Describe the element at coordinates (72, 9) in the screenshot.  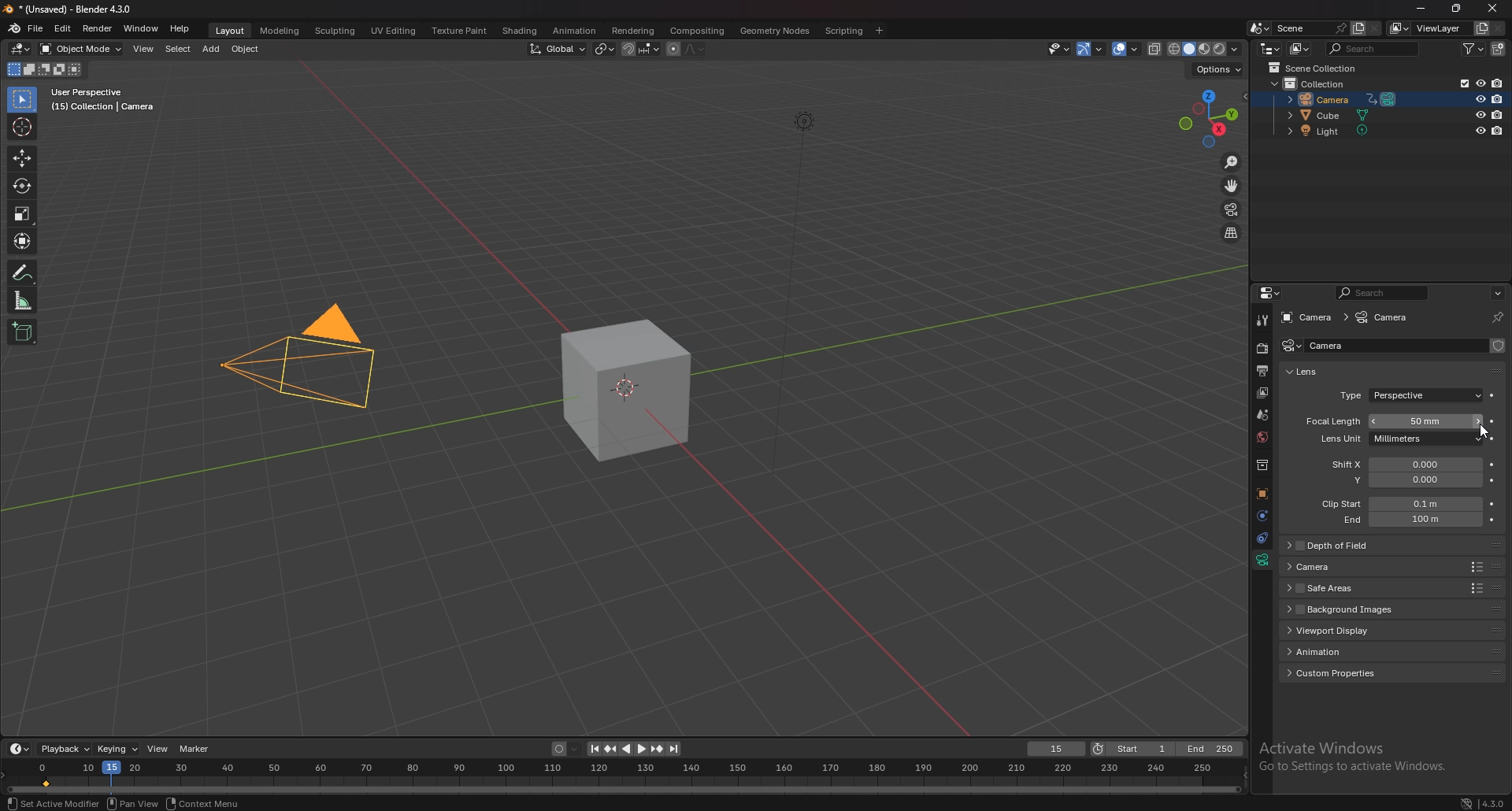
I see `title` at that location.